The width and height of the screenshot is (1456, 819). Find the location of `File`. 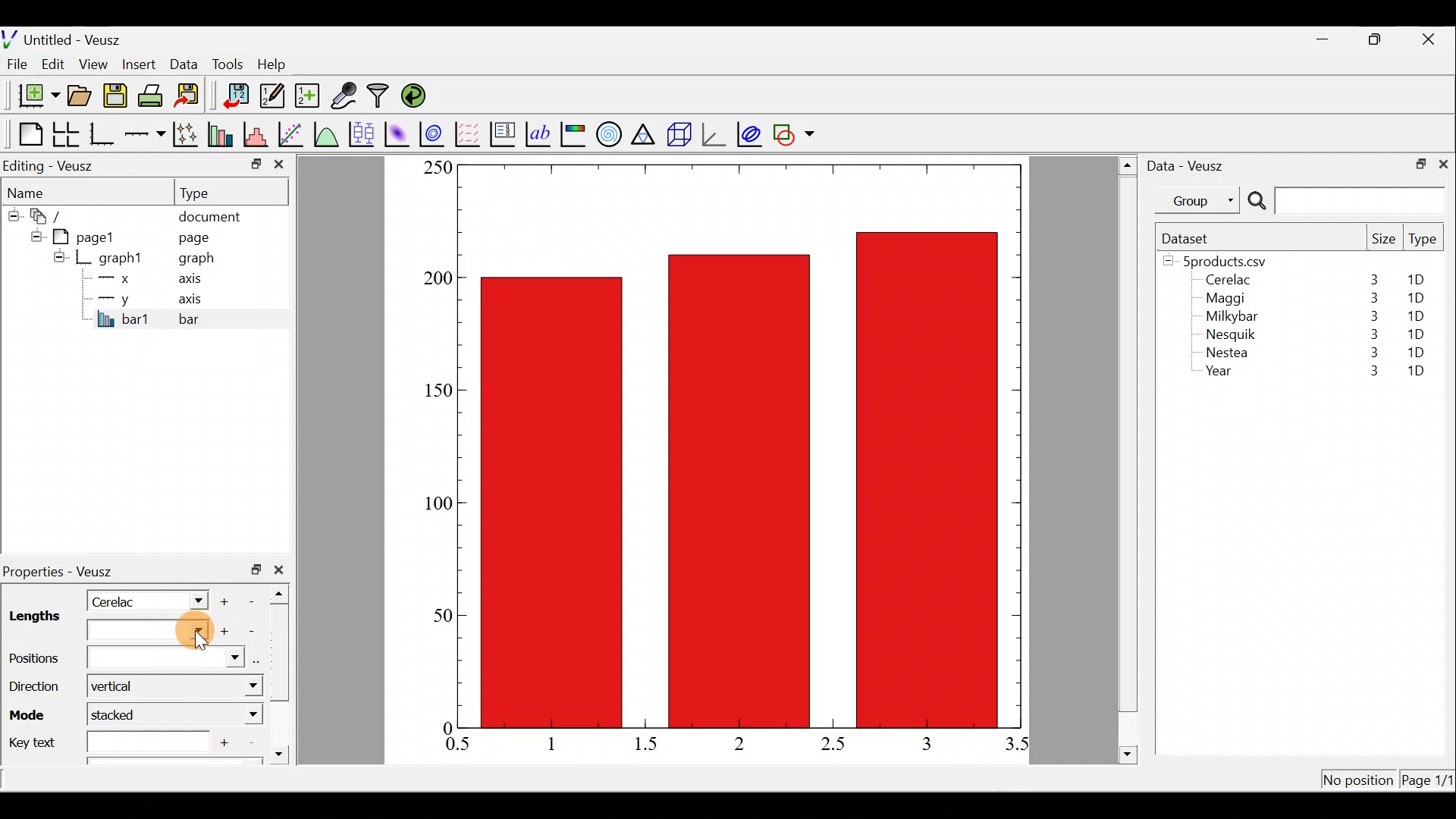

File is located at coordinates (14, 64).